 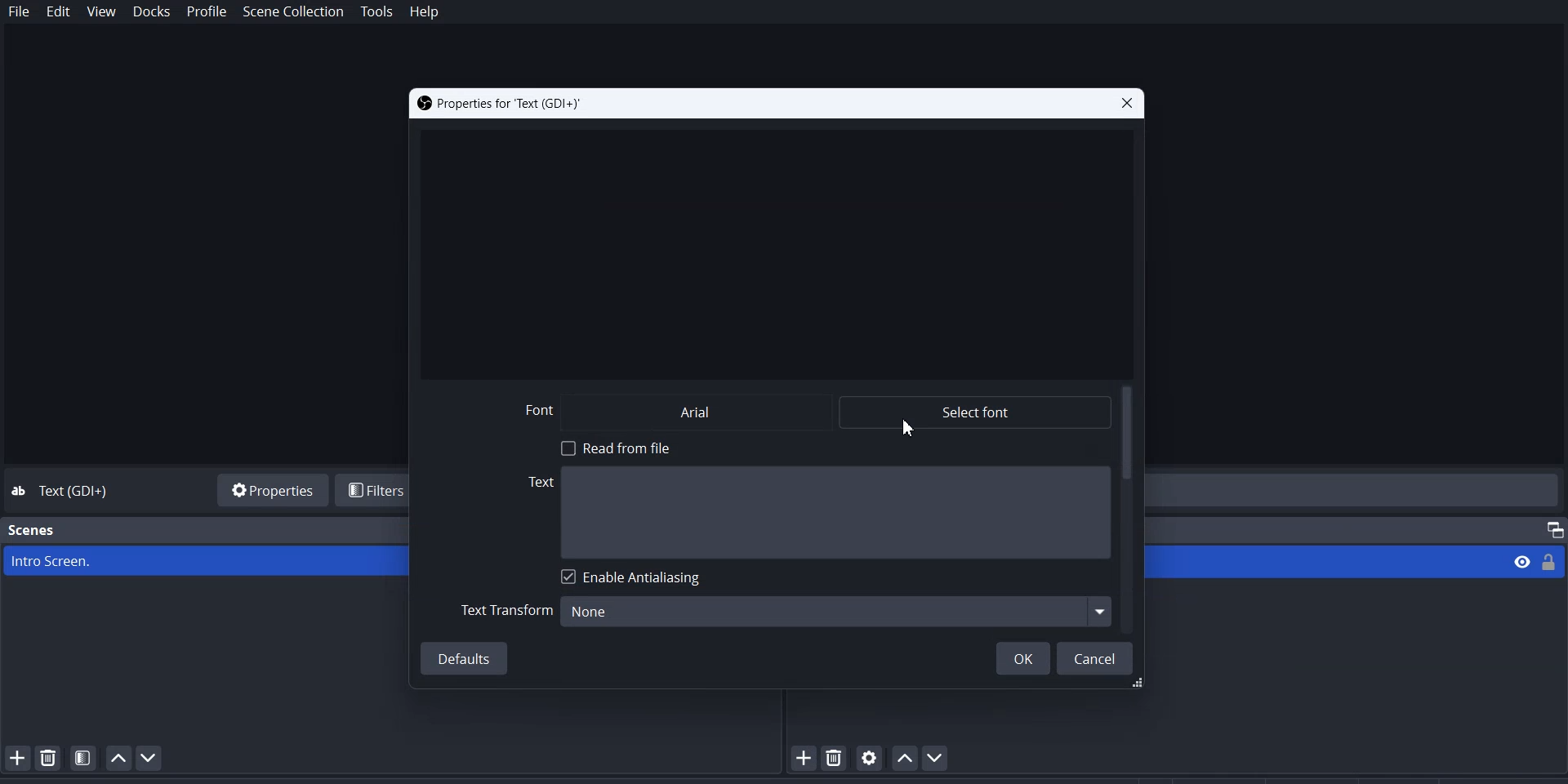 What do you see at coordinates (466, 658) in the screenshot?
I see `Defaults` at bounding box center [466, 658].